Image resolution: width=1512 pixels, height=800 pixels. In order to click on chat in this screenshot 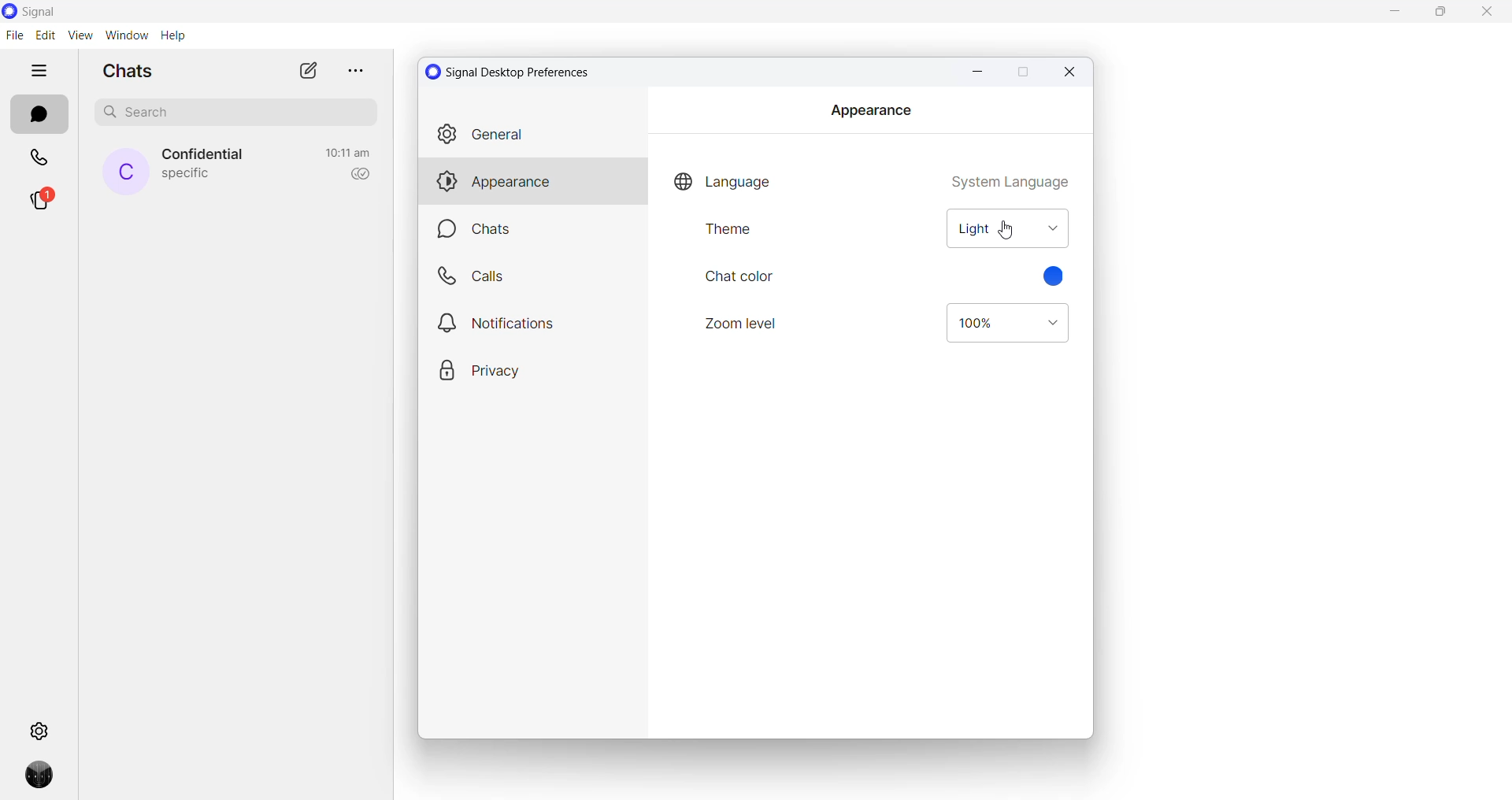, I will do `click(537, 231)`.